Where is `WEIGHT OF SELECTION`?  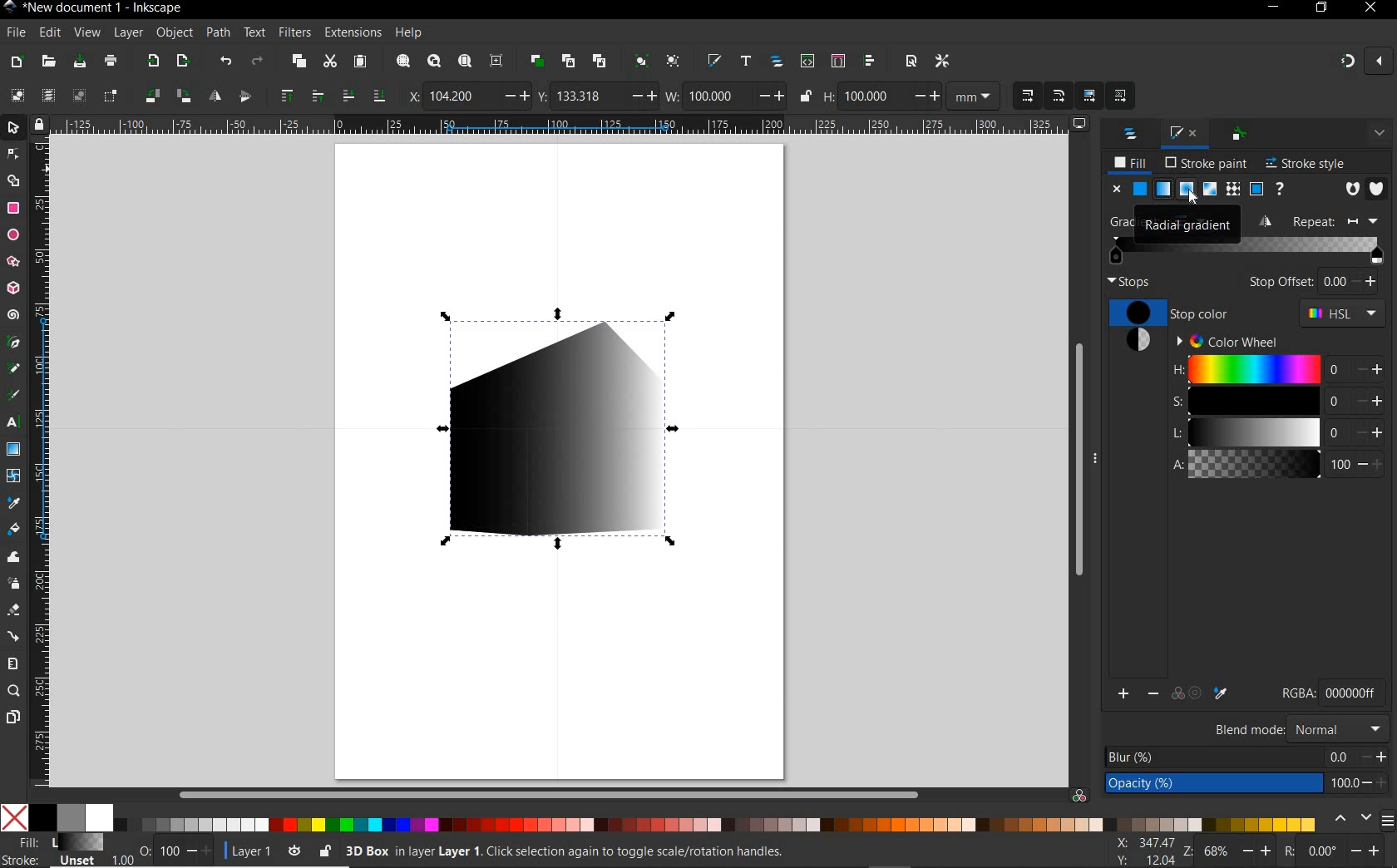 WEIGHT OF SELECTION is located at coordinates (671, 96).